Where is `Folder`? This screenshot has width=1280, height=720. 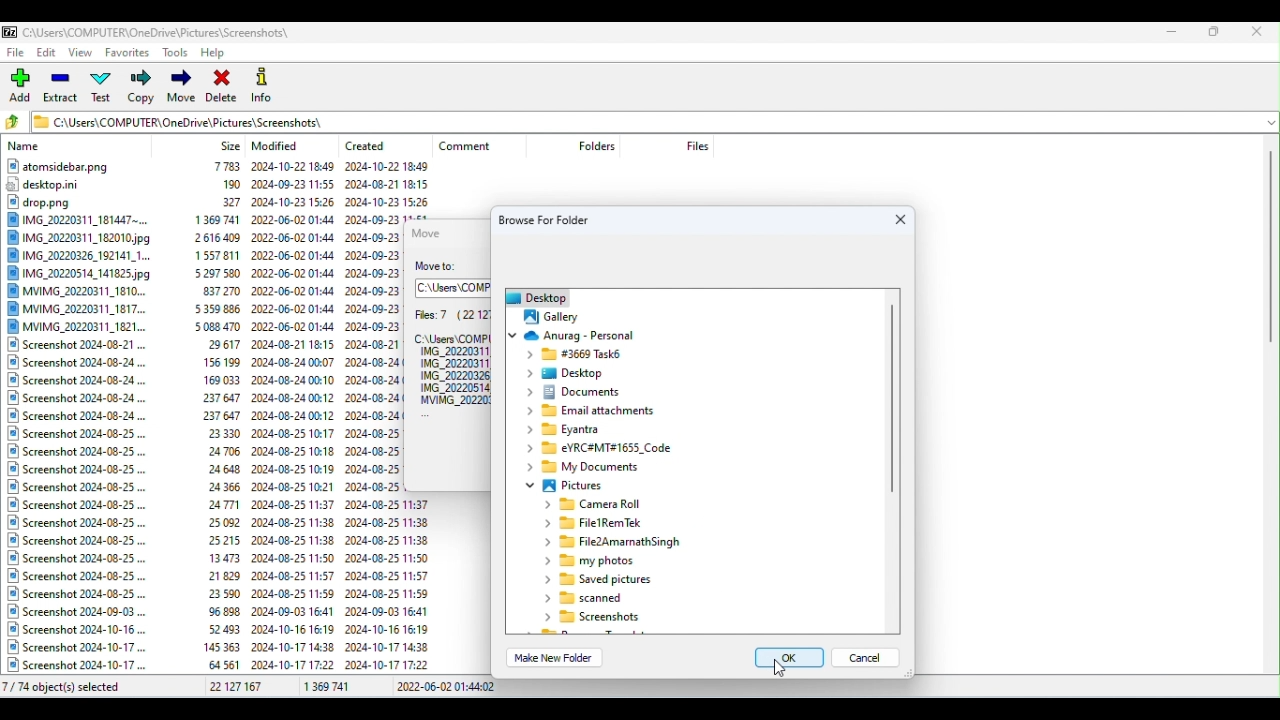 Folder is located at coordinates (598, 448).